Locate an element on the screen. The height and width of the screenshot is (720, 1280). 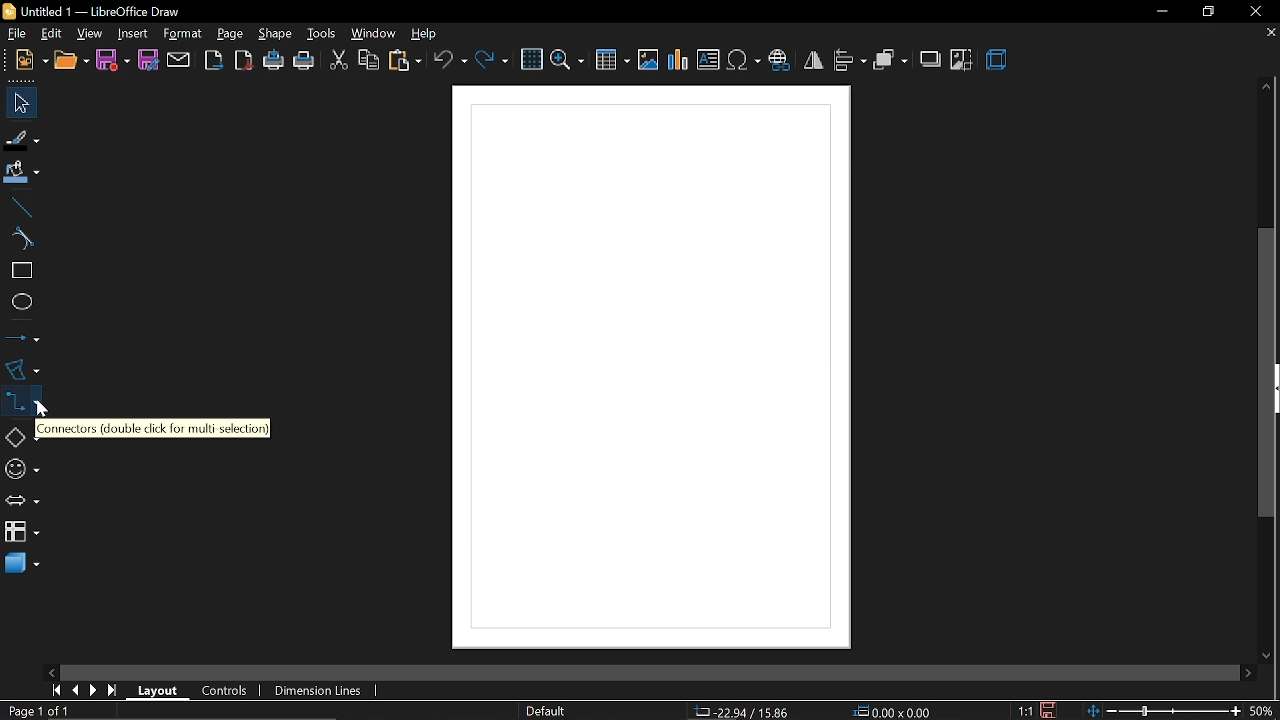
fill line is located at coordinates (23, 138).